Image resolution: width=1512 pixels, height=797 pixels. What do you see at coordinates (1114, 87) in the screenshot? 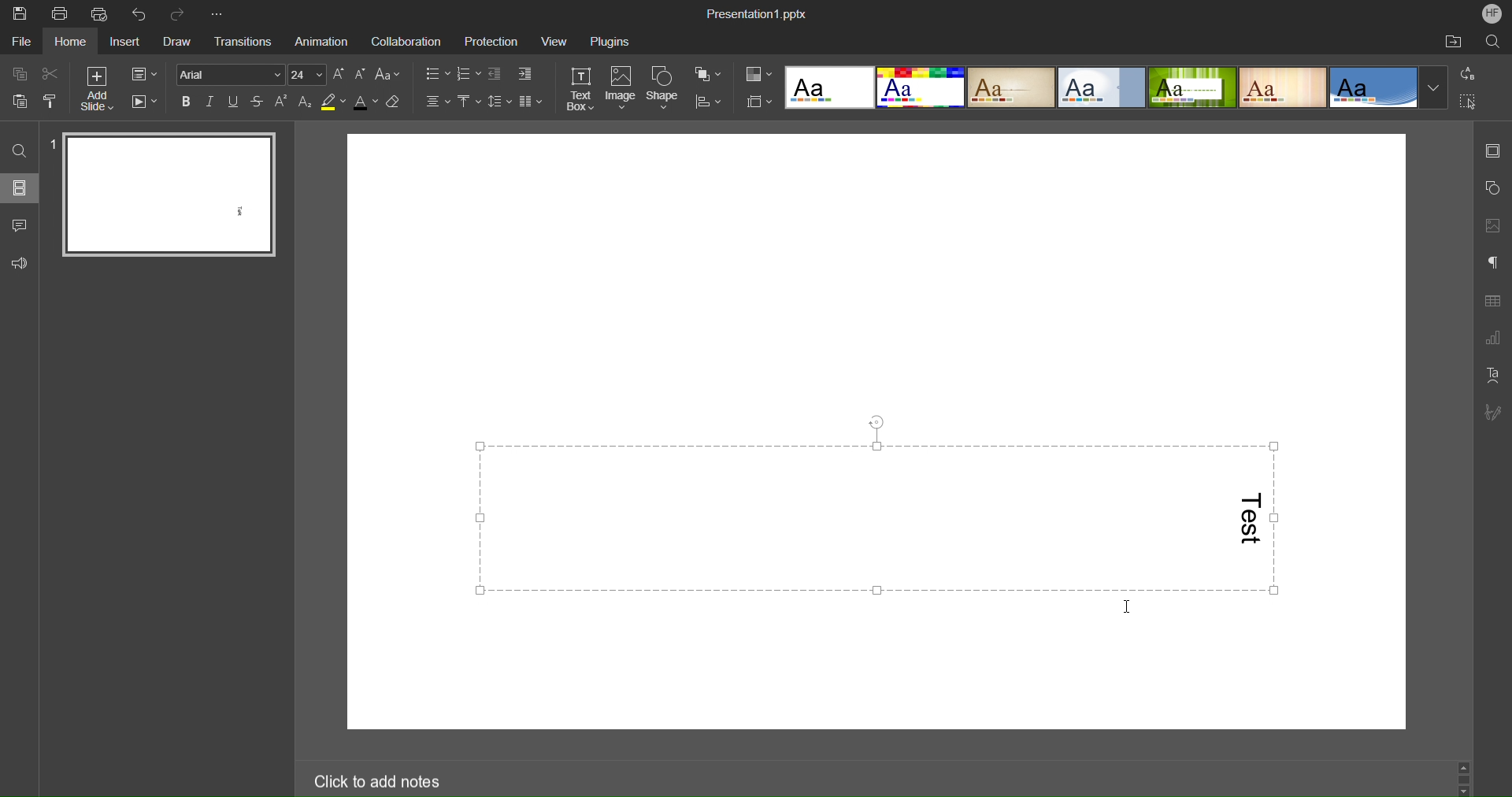
I see `Templates` at bounding box center [1114, 87].